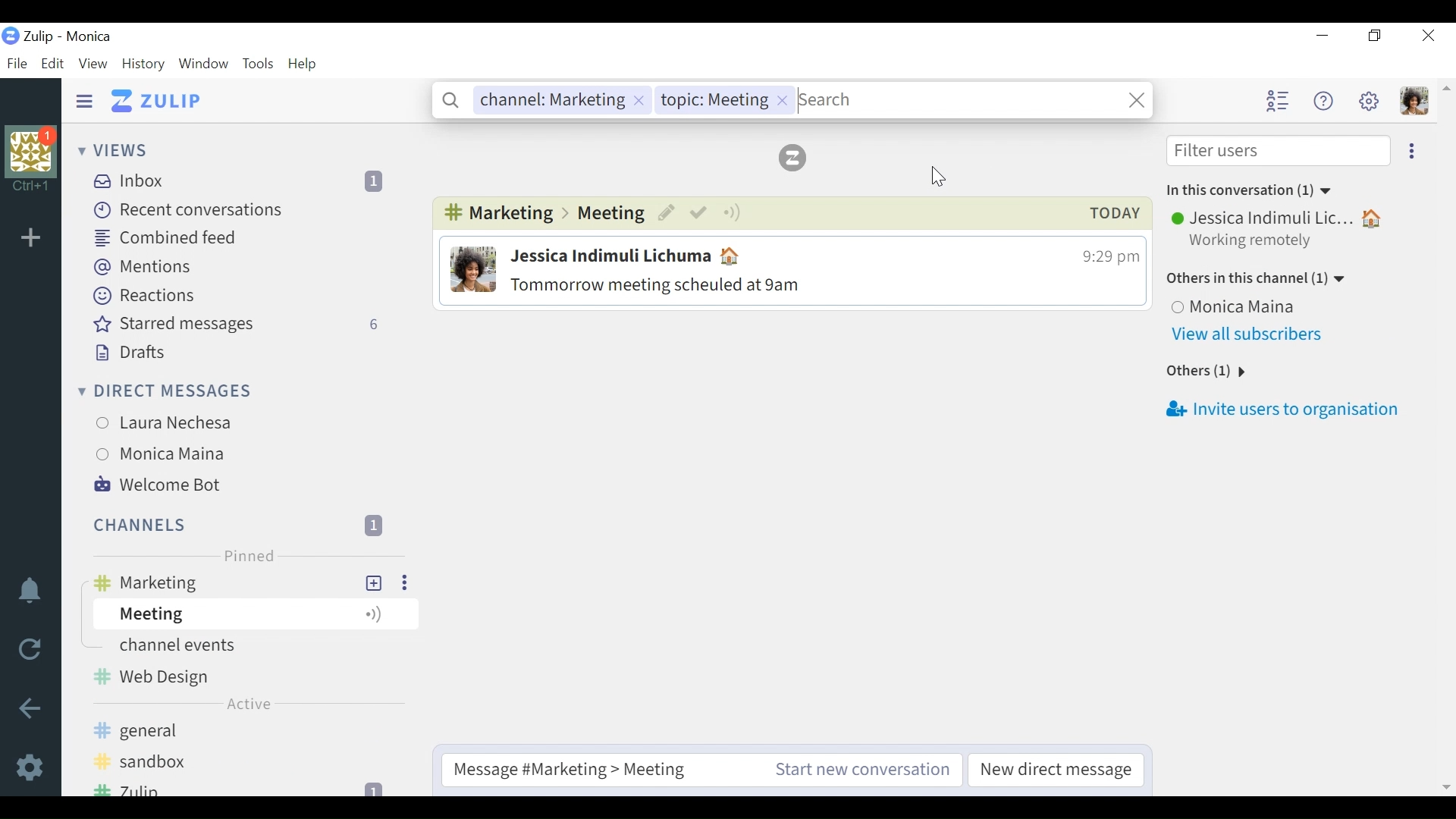 This screenshot has width=1456, height=819. Describe the element at coordinates (254, 705) in the screenshot. I see `Active` at that location.